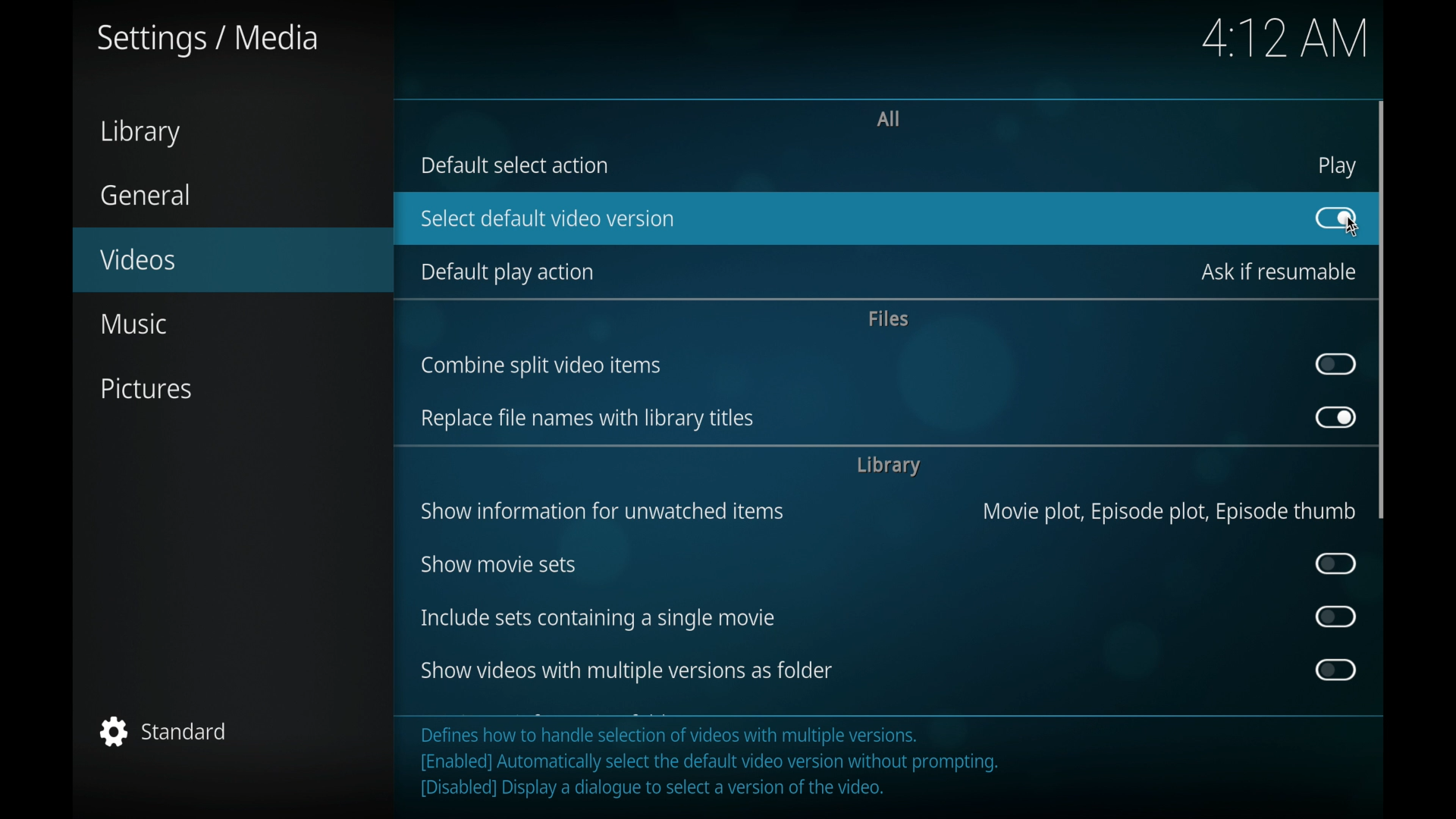 This screenshot has width=1456, height=819. Describe the element at coordinates (1337, 167) in the screenshot. I see `play` at that location.